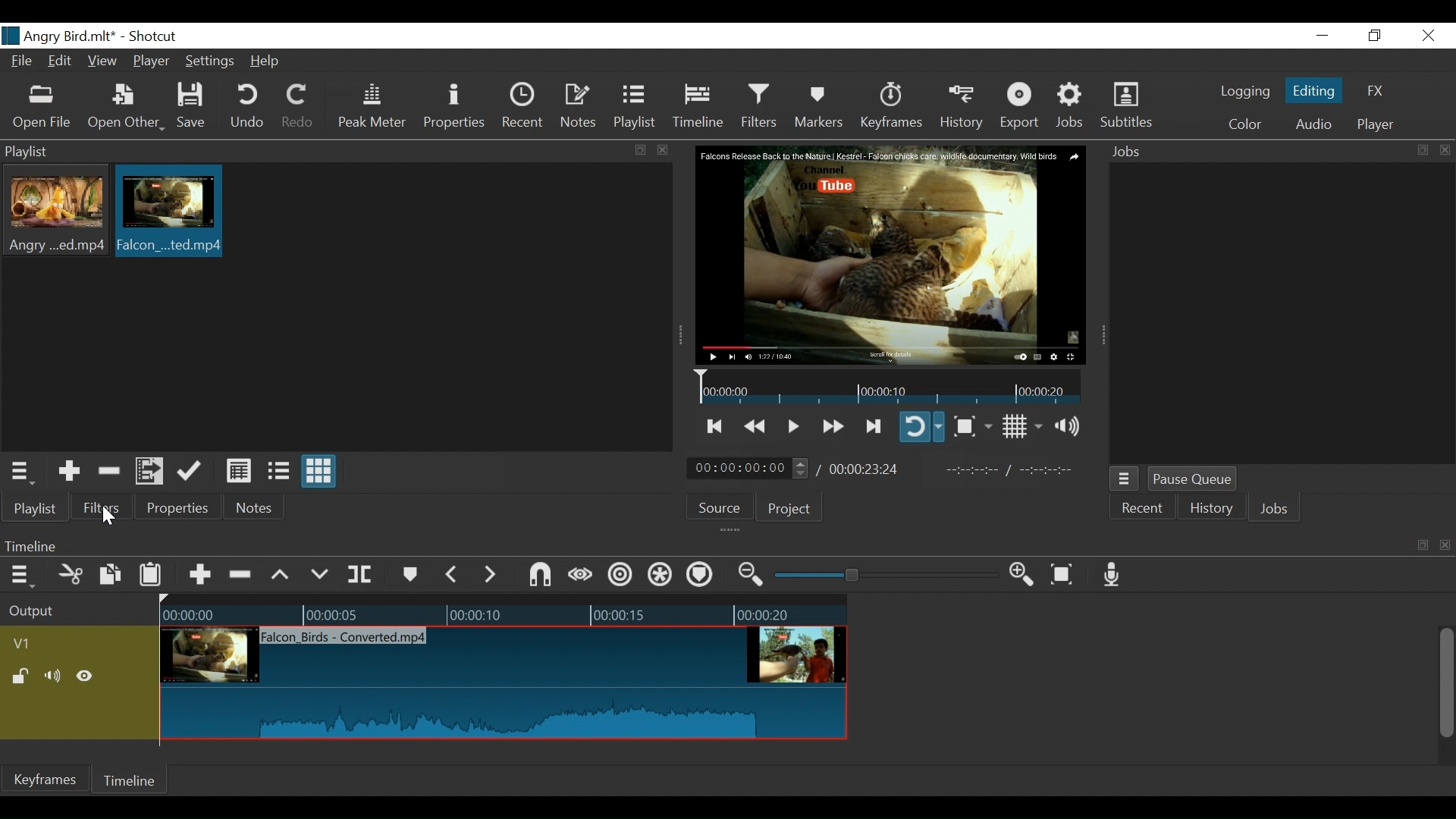 The image size is (1456, 819). Describe the element at coordinates (1071, 106) in the screenshot. I see `Jobs` at that location.